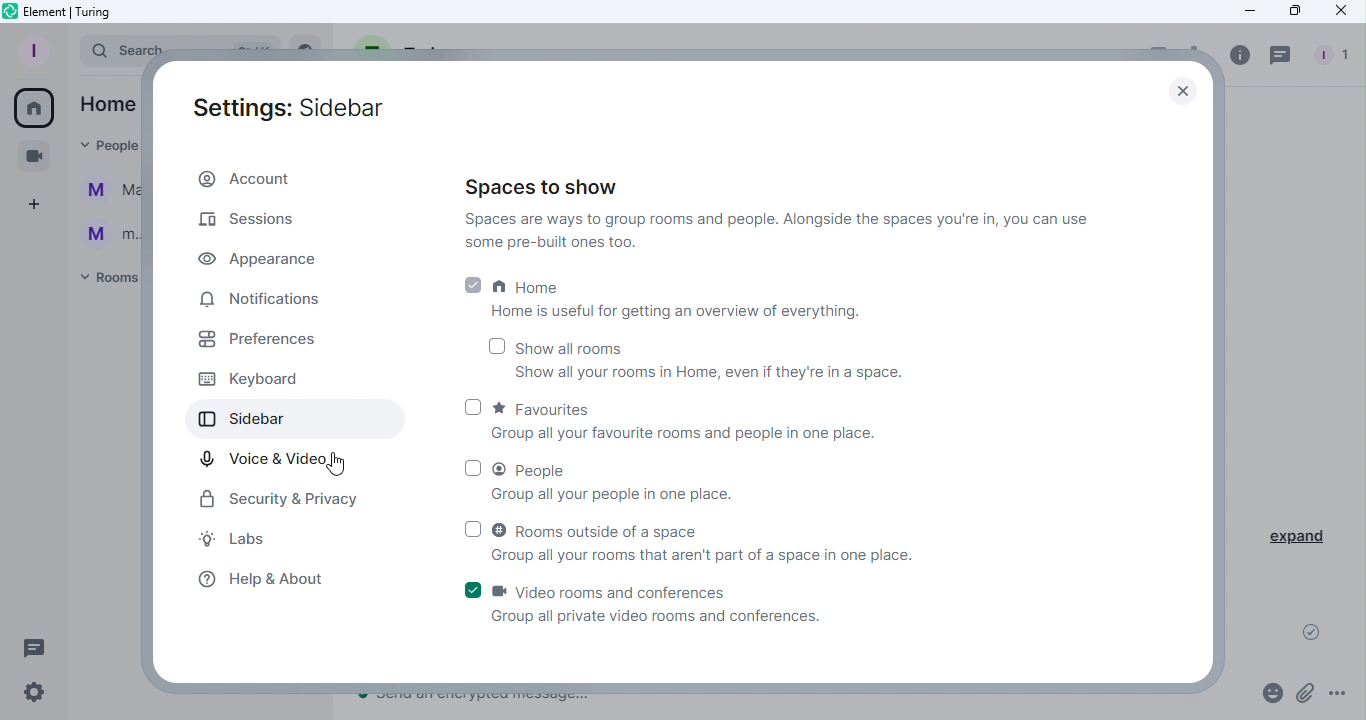 This screenshot has width=1366, height=720. What do you see at coordinates (702, 419) in the screenshot?
I see `Favourites` at bounding box center [702, 419].